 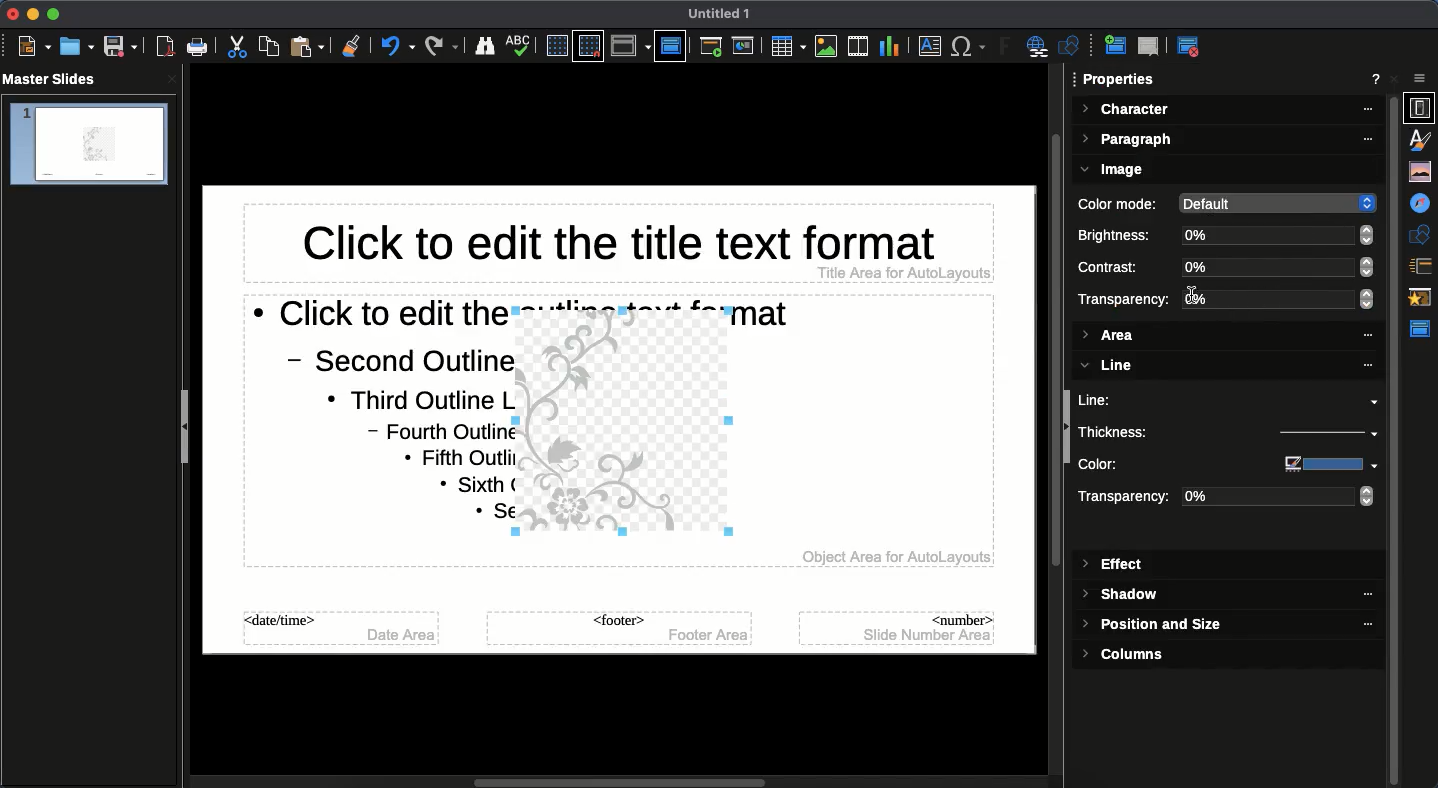 What do you see at coordinates (1124, 299) in the screenshot?
I see `Transparency` at bounding box center [1124, 299].